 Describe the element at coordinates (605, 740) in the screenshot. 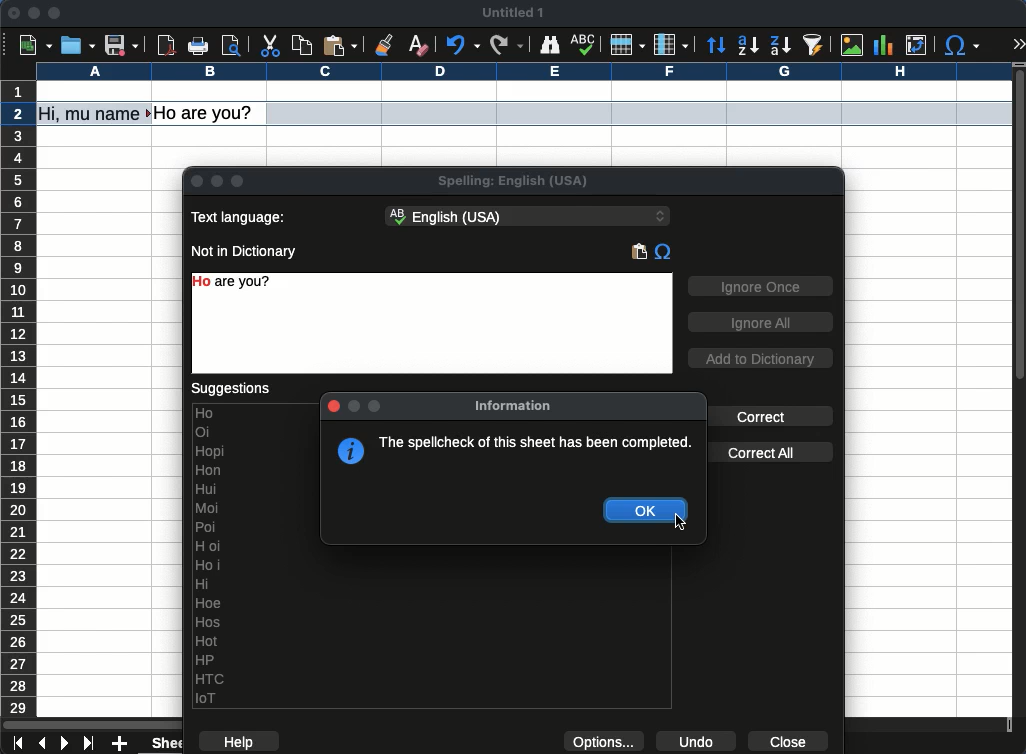

I see `options` at that location.